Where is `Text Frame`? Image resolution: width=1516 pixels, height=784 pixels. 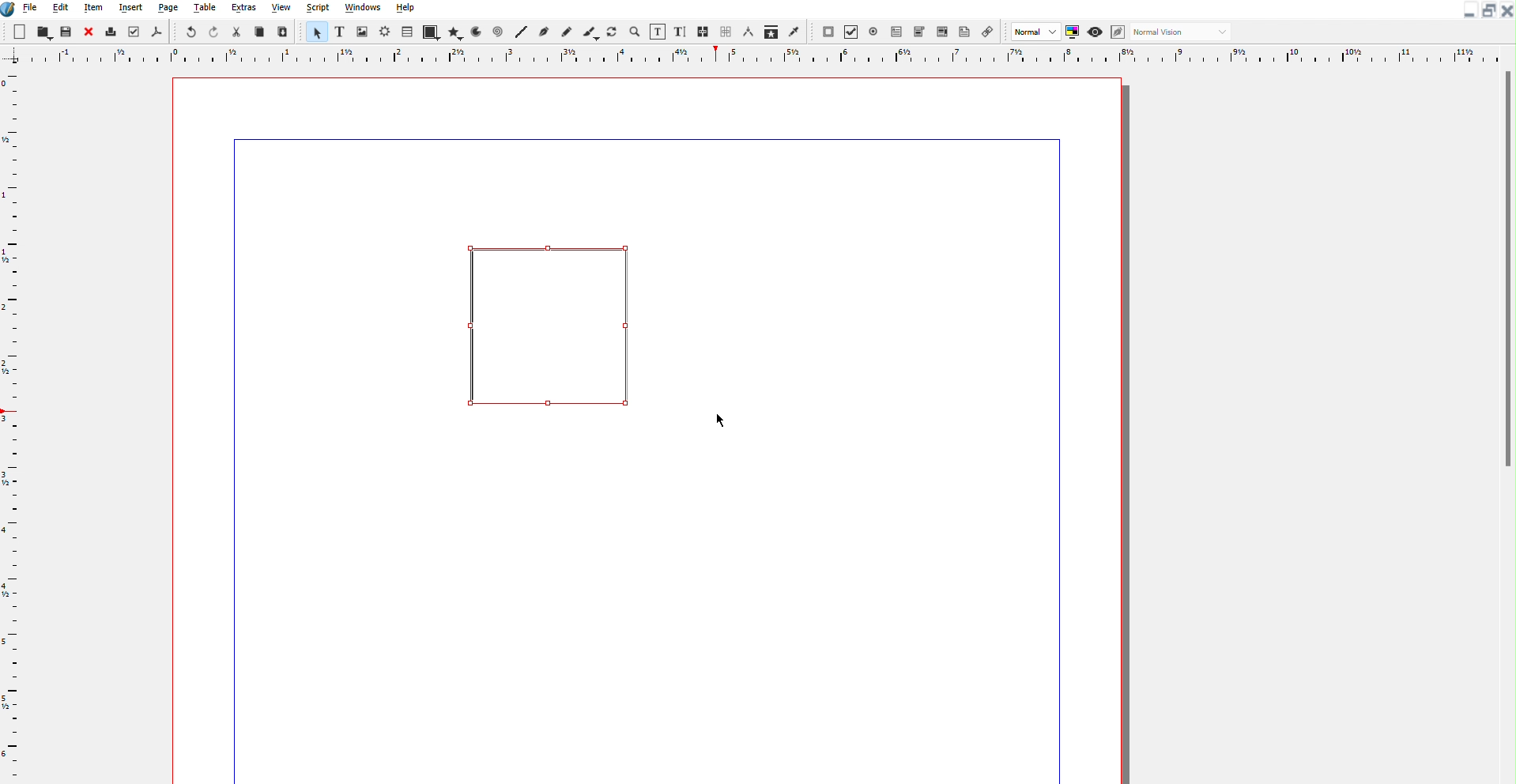
Text Frame is located at coordinates (542, 319).